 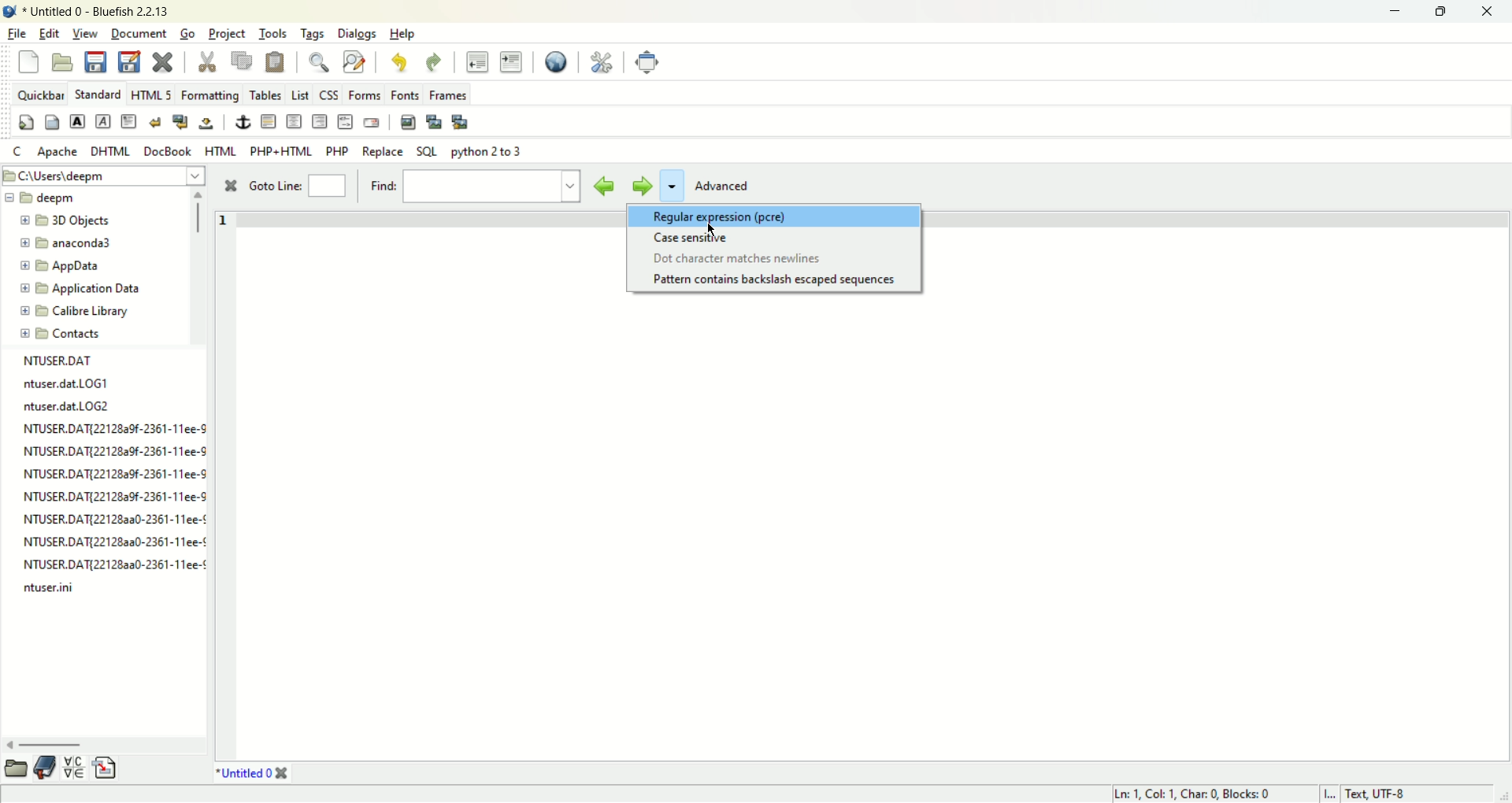 What do you see at coordinates (471, 187) in the screenshot?
I see `find` at bounding box center [471, 187].